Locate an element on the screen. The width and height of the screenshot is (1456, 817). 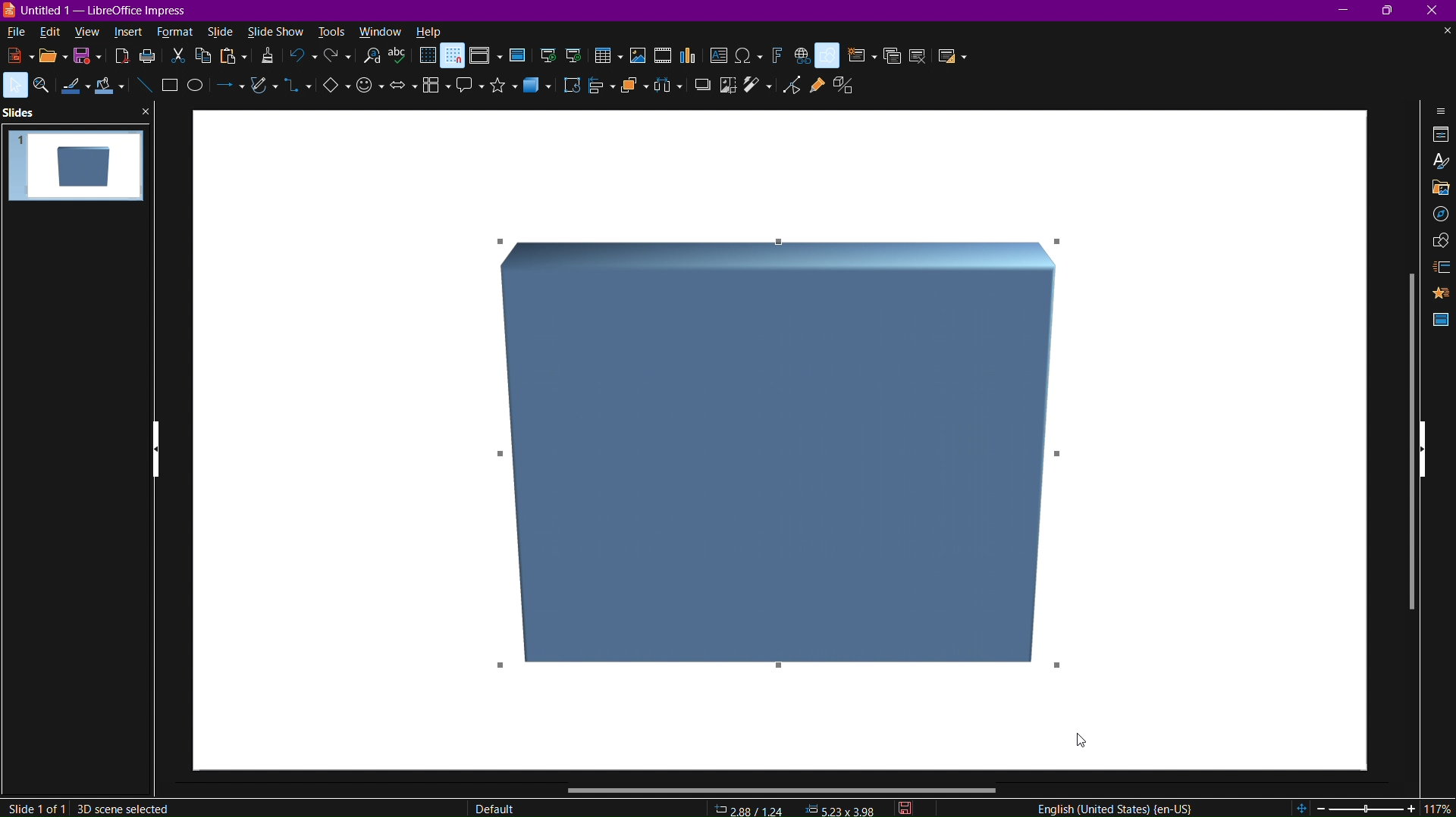
Coordinates is located at coordinates (750, 809).